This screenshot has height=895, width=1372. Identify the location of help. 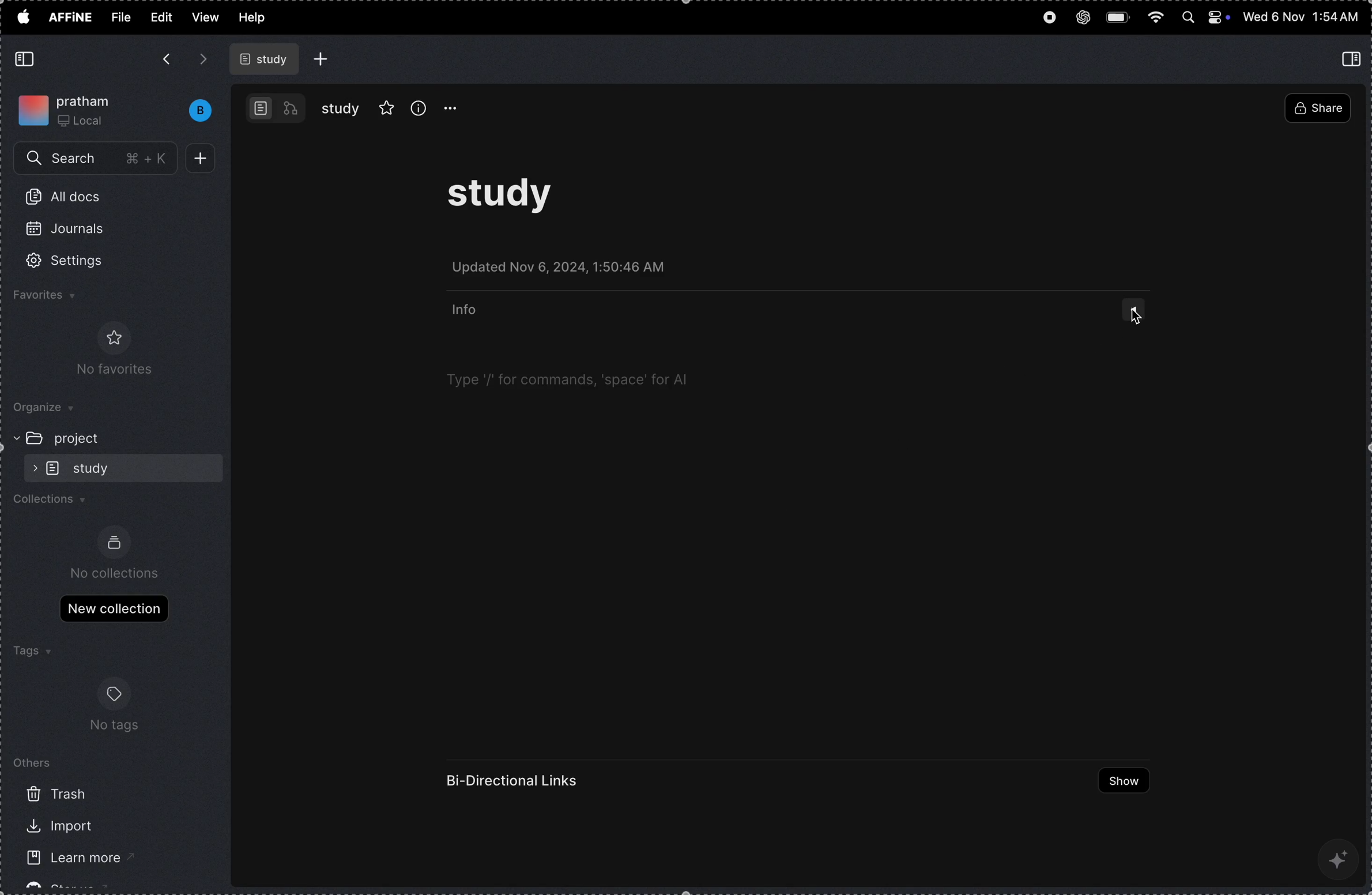
(258, 18).